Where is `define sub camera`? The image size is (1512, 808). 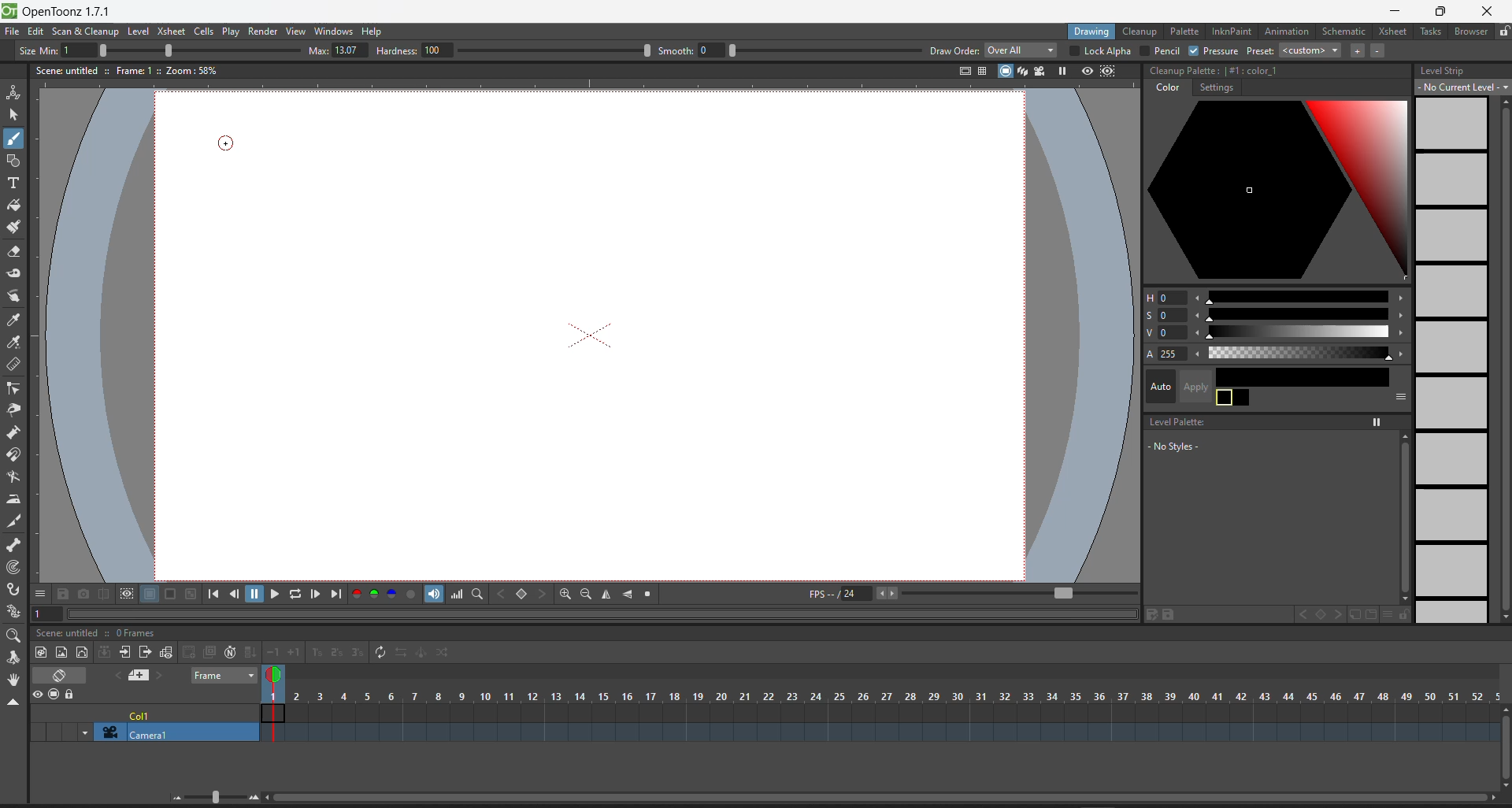 define sub camera is located at coordinates (126, 593).